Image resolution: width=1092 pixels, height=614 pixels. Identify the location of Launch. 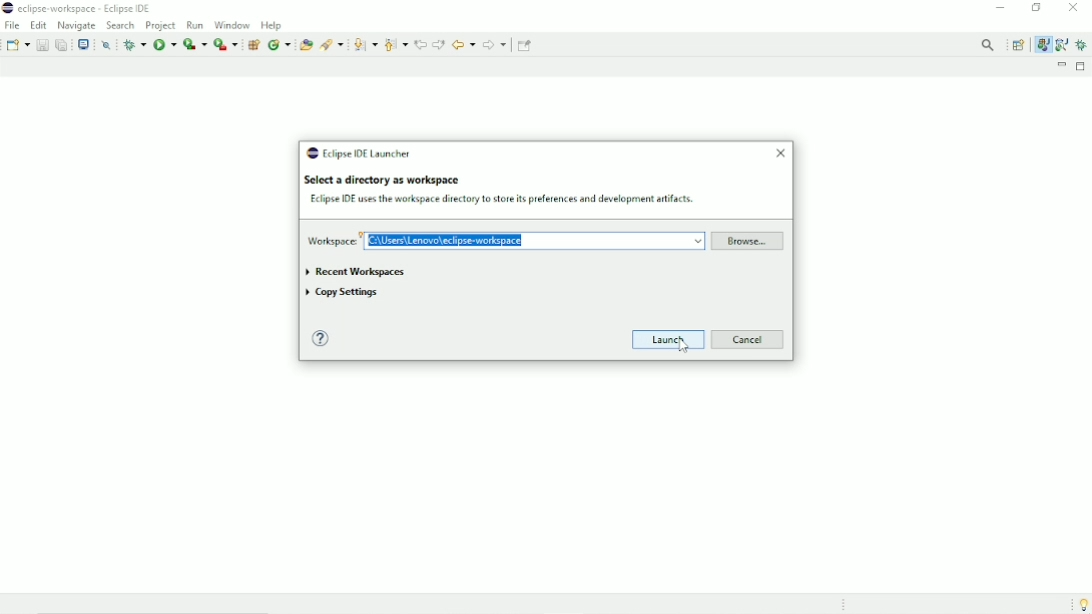
(669, 338).